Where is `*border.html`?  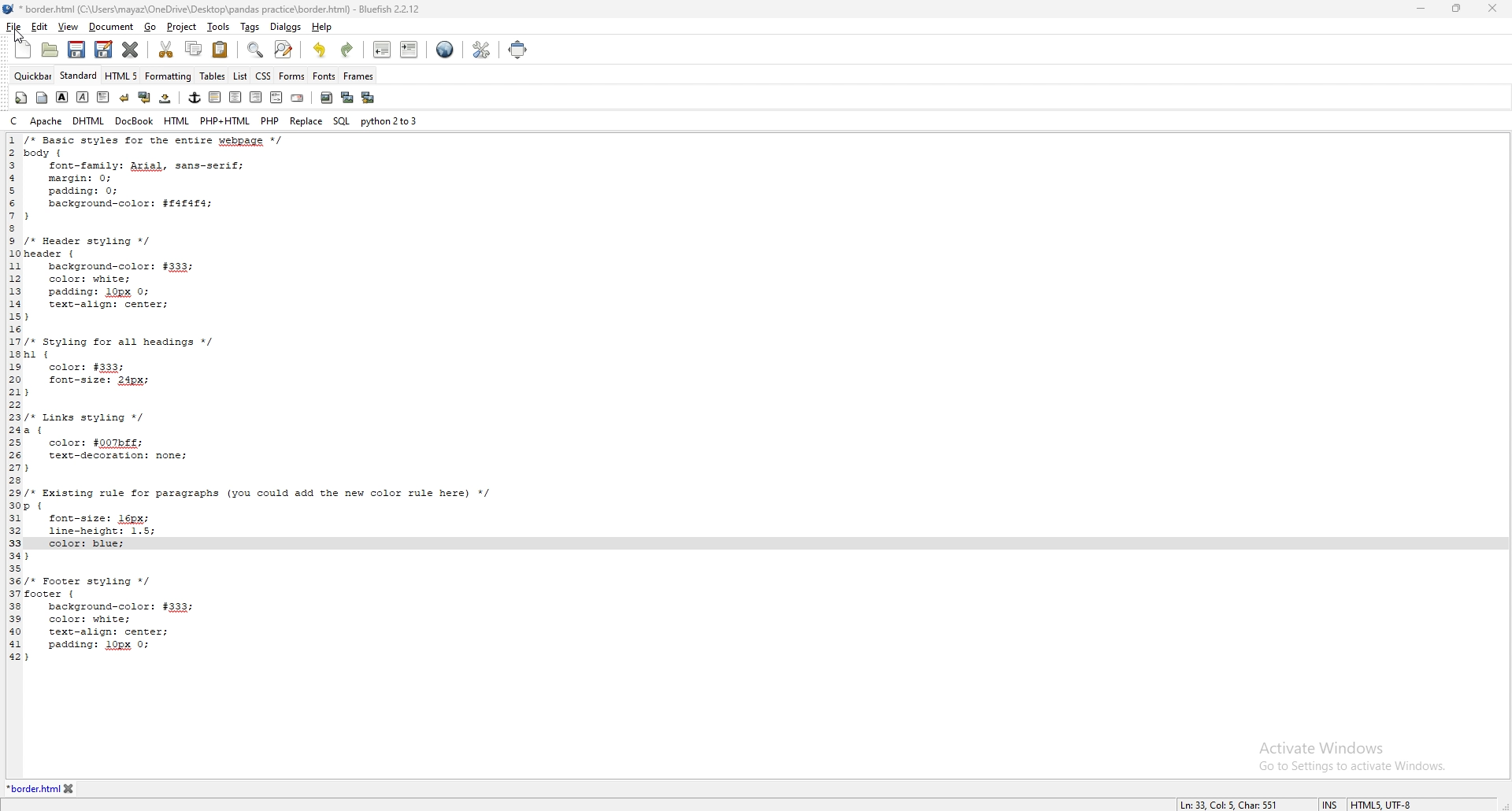
*border.html is located at coordinates (31, 788).